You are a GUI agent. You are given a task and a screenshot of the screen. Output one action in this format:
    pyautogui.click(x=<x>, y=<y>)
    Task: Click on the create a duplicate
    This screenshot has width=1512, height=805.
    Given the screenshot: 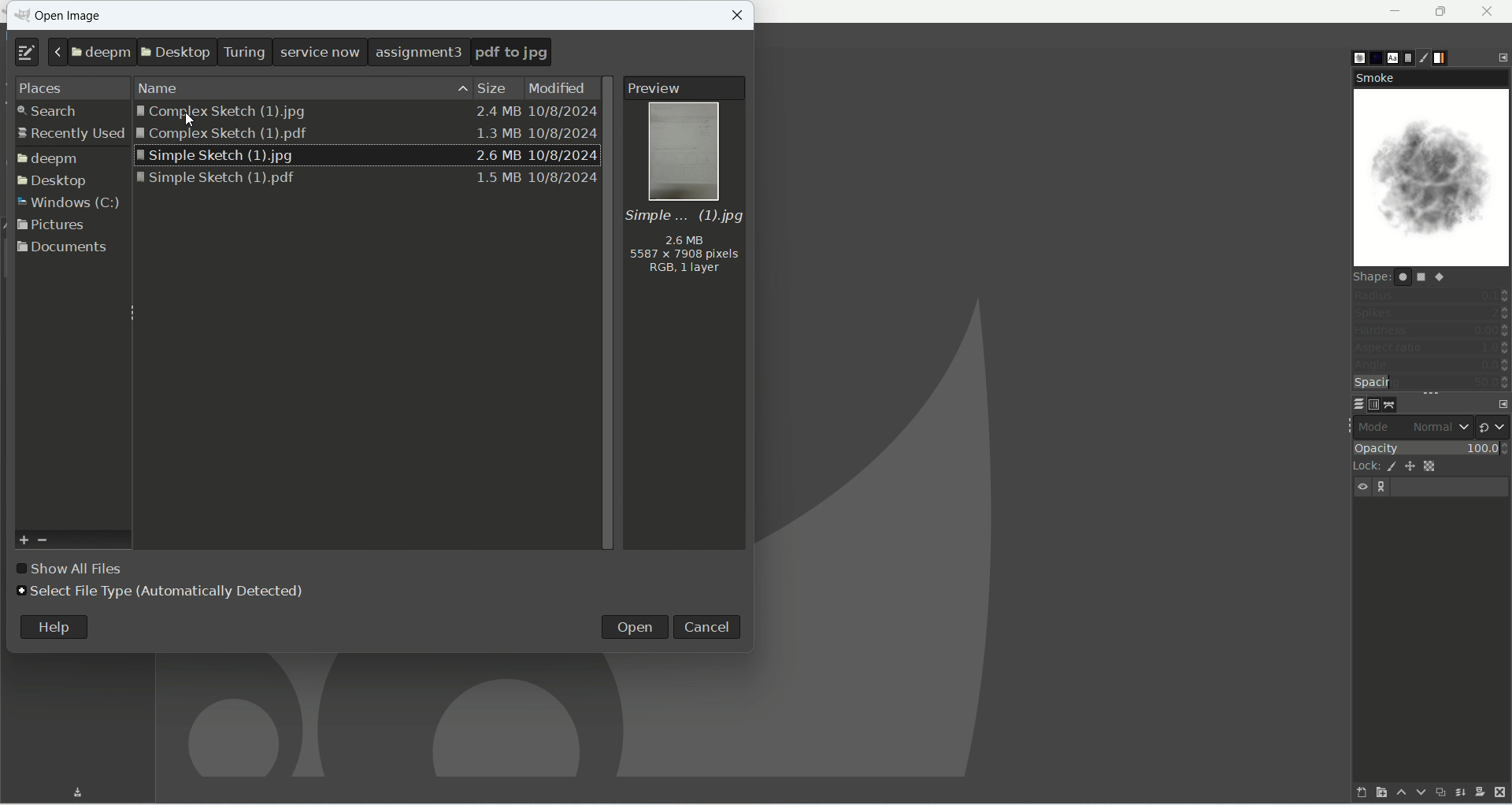 What is the action you would take?
    pyautogui.click(x=1440, y=795)
    